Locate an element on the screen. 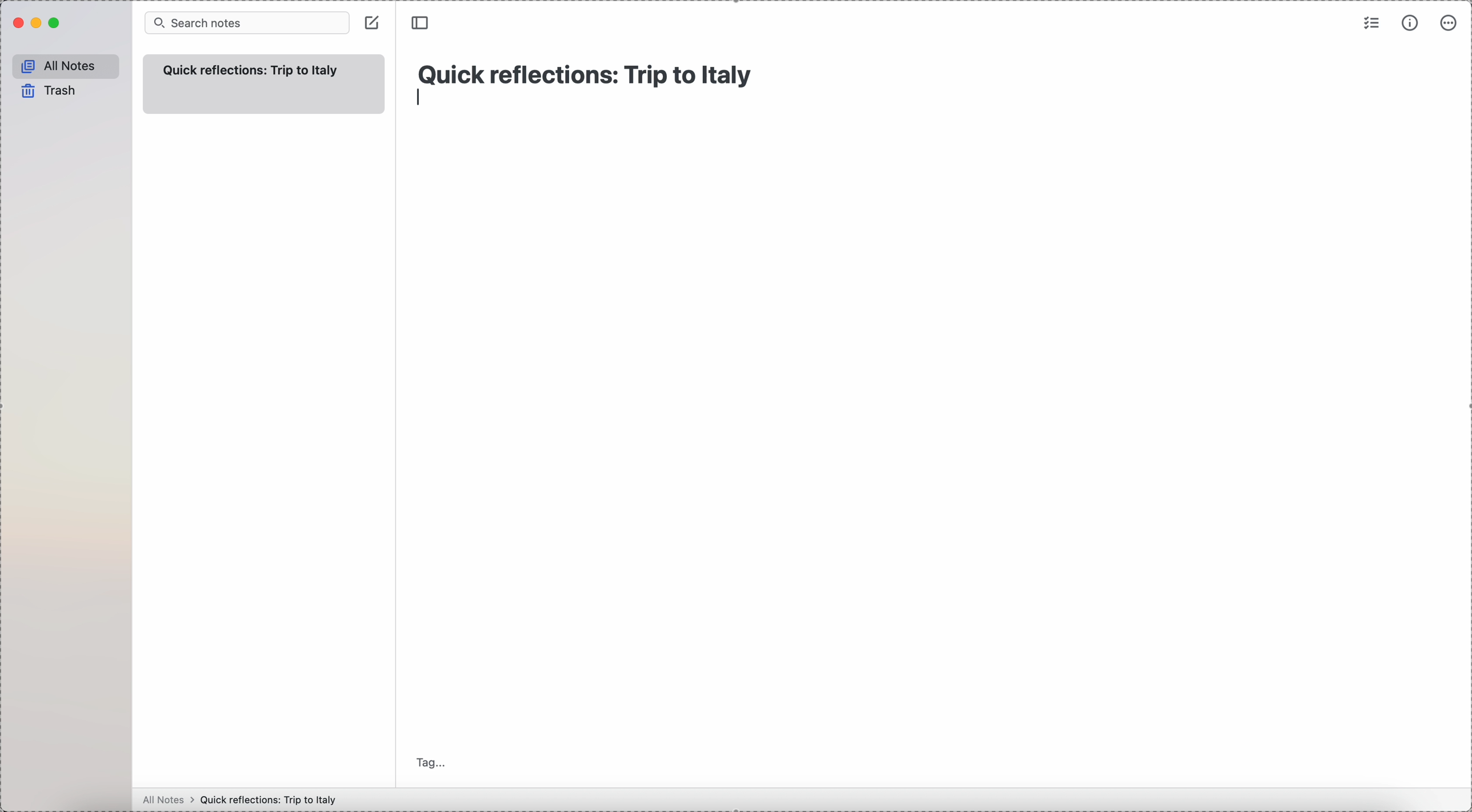  maximize is located at coordinates (56, 23).